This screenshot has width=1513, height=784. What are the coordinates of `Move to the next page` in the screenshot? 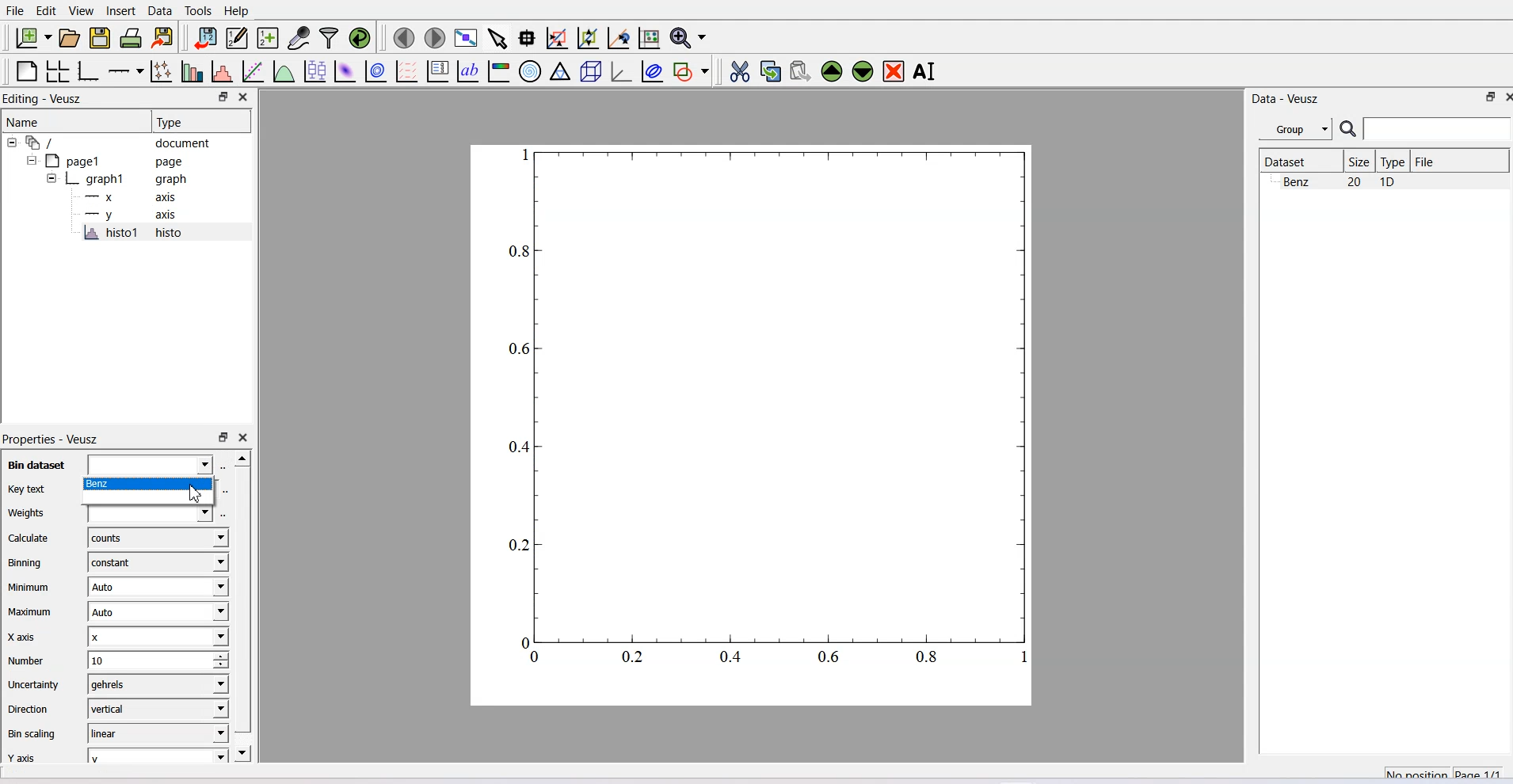 It's located at (436, 38).